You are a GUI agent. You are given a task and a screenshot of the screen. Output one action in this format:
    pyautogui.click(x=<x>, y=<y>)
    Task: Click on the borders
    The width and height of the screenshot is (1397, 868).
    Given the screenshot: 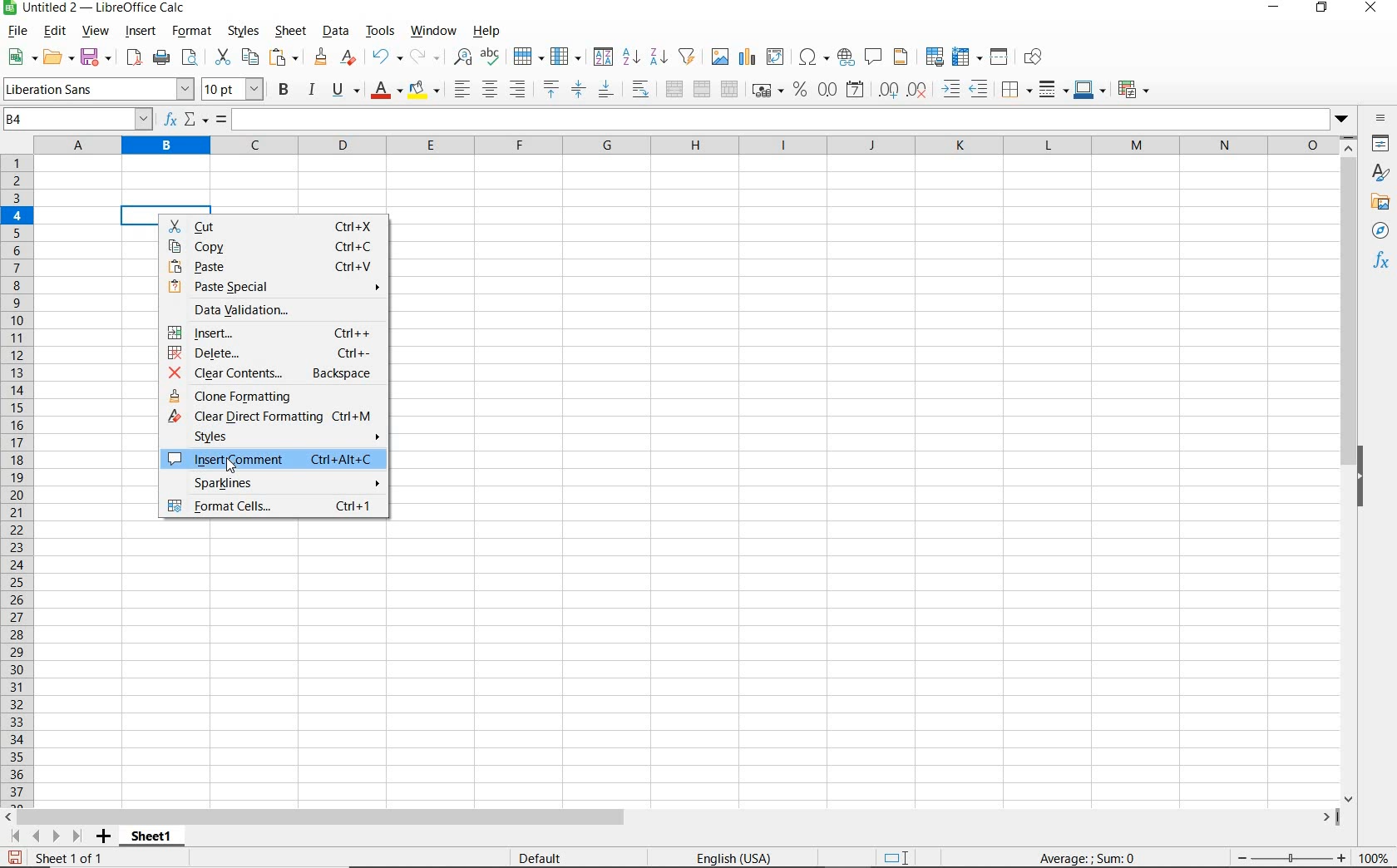 What is the action you would take?
    pyautogui.click(x=1015, y=89)
    